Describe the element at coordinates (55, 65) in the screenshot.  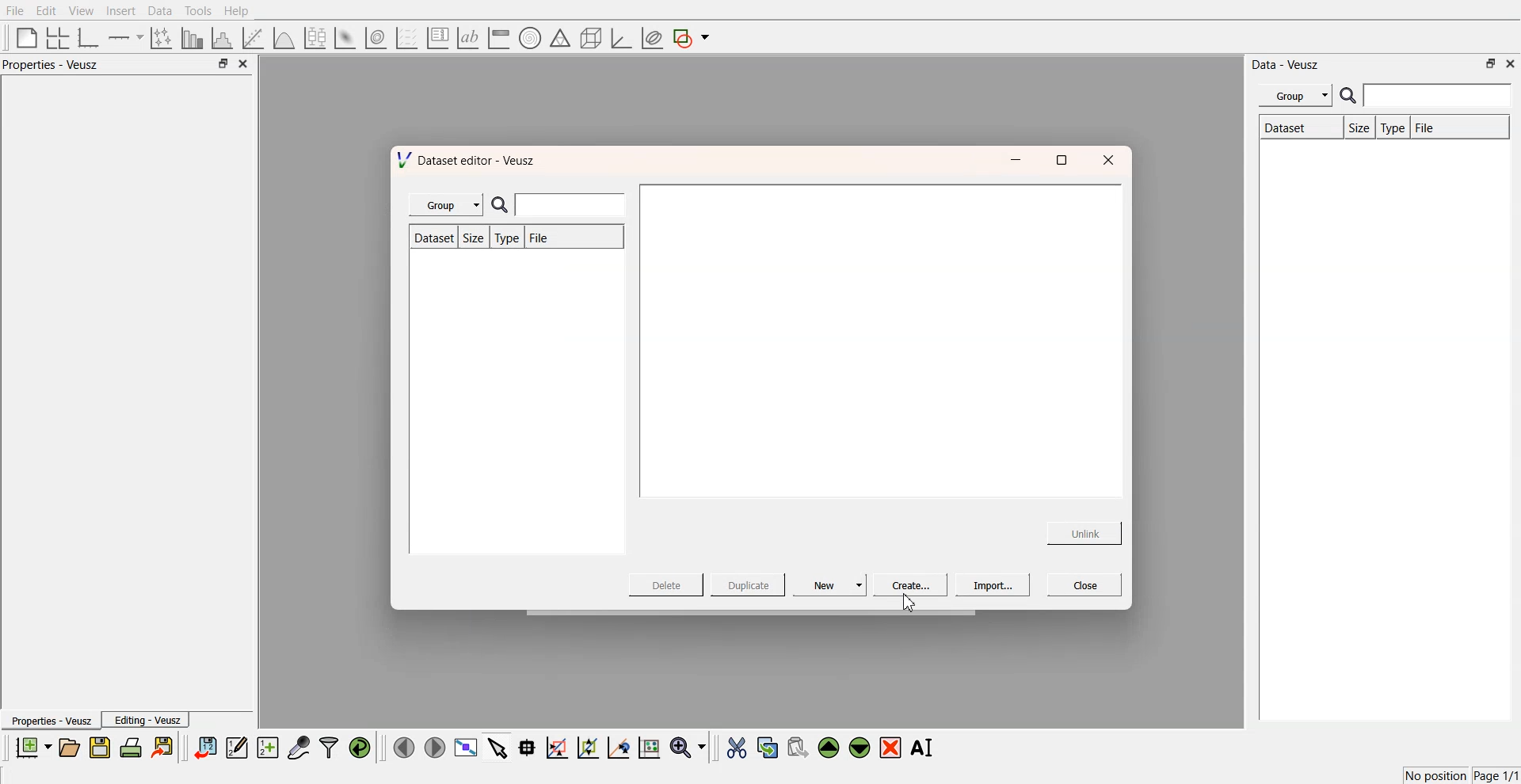
I see `Properties - Veusz` at that location.